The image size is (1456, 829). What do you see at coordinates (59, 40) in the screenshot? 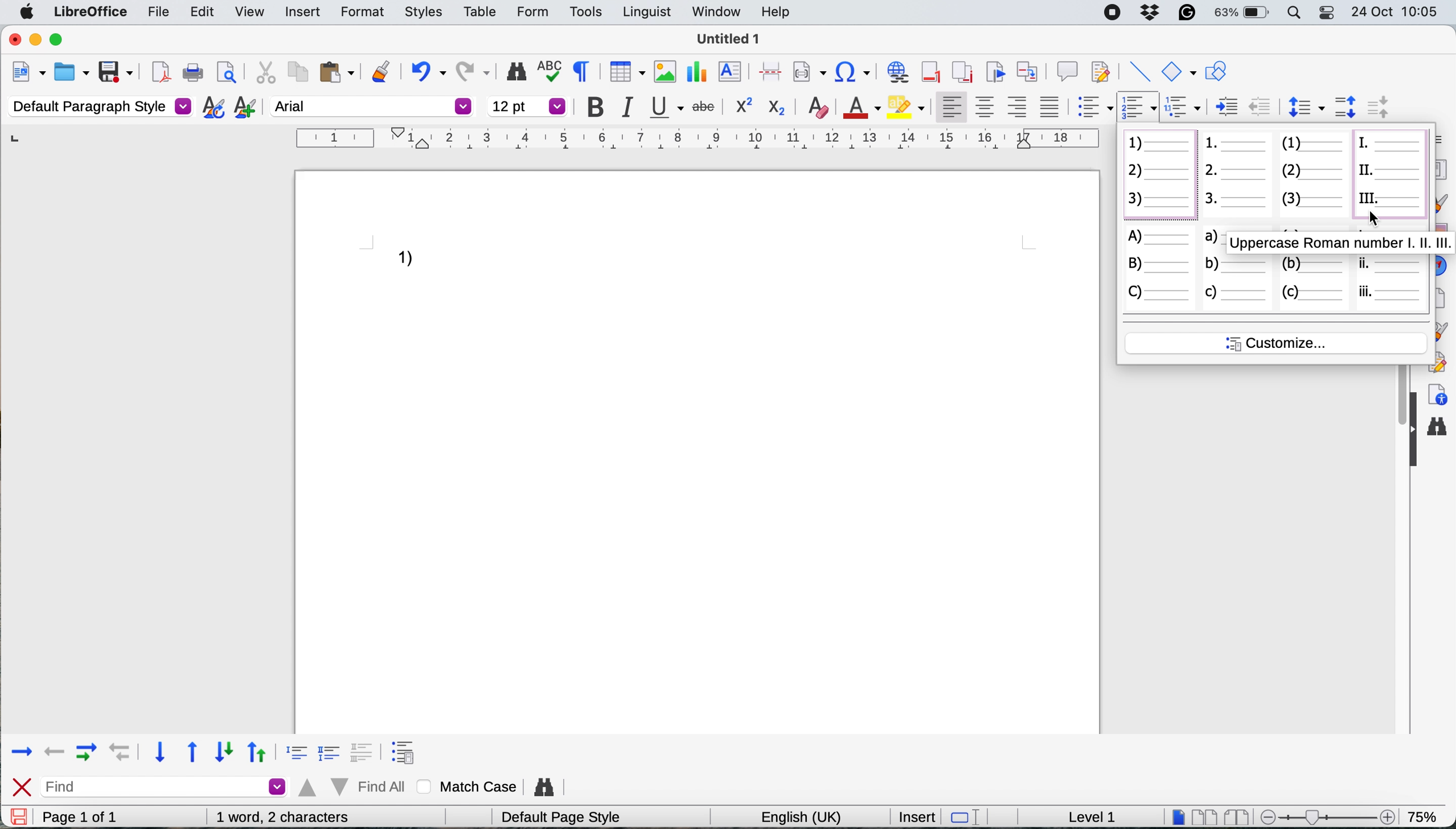
I see `maximise` at bounding box center [59, 40].